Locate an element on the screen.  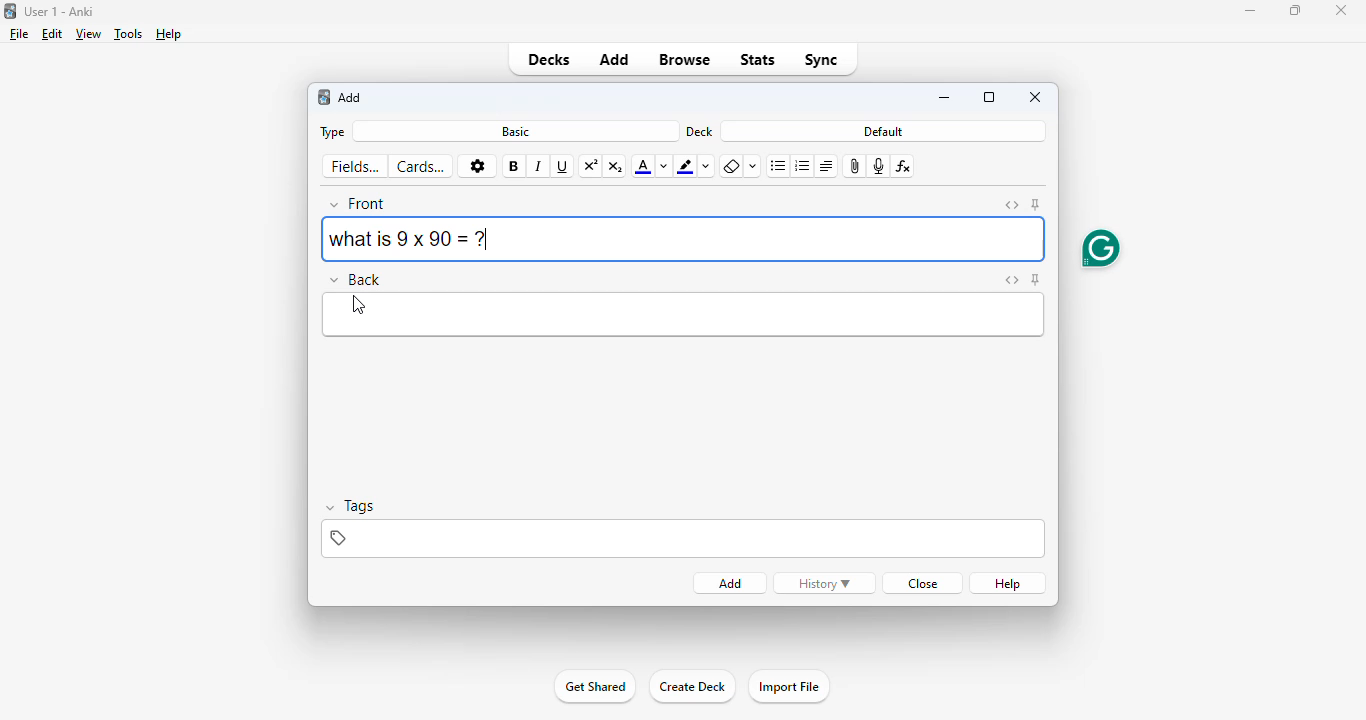
edit is located at coordinates (52, 34).